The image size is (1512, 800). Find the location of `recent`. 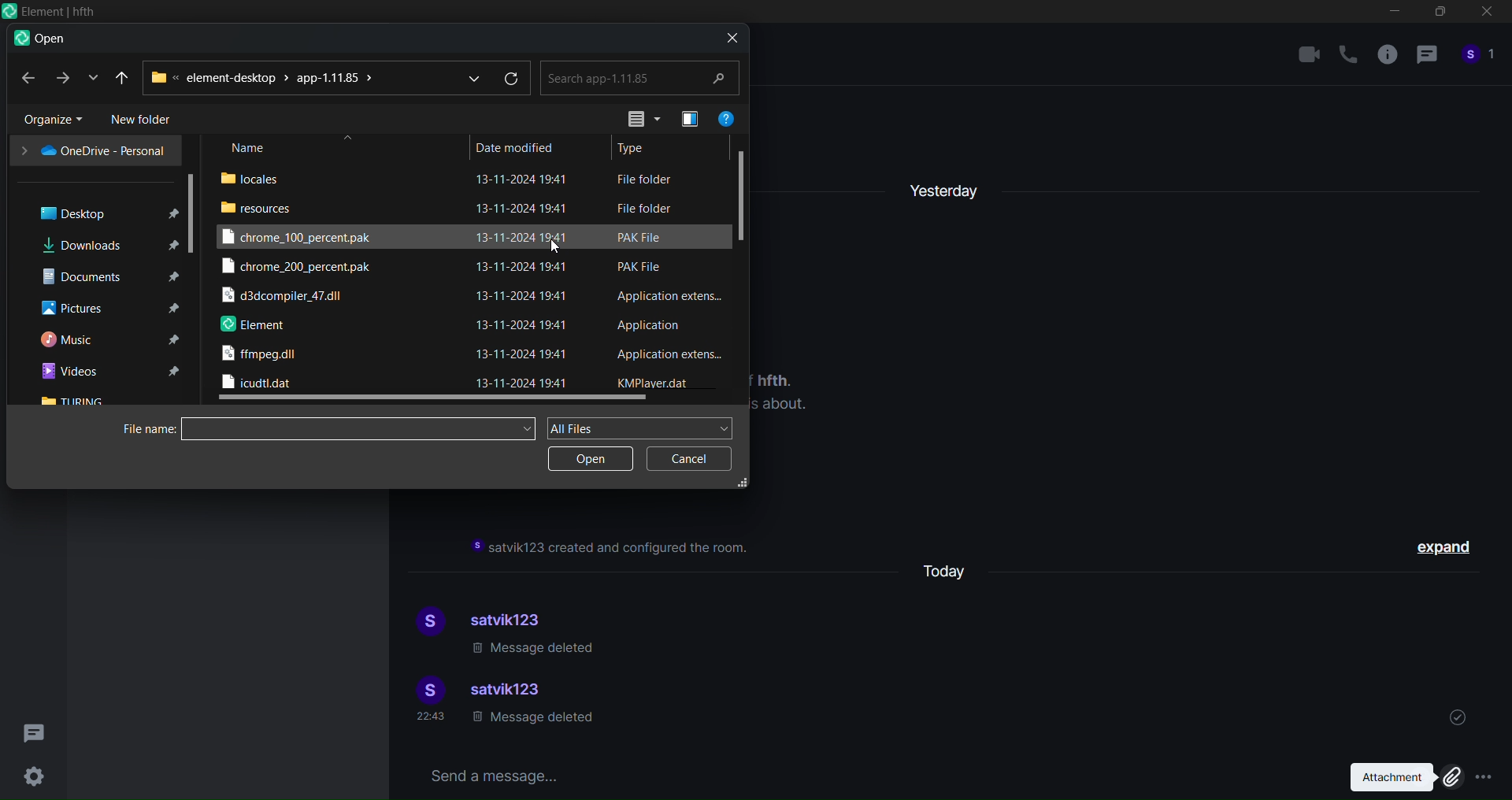

recent is located at coordinates (124, 76).